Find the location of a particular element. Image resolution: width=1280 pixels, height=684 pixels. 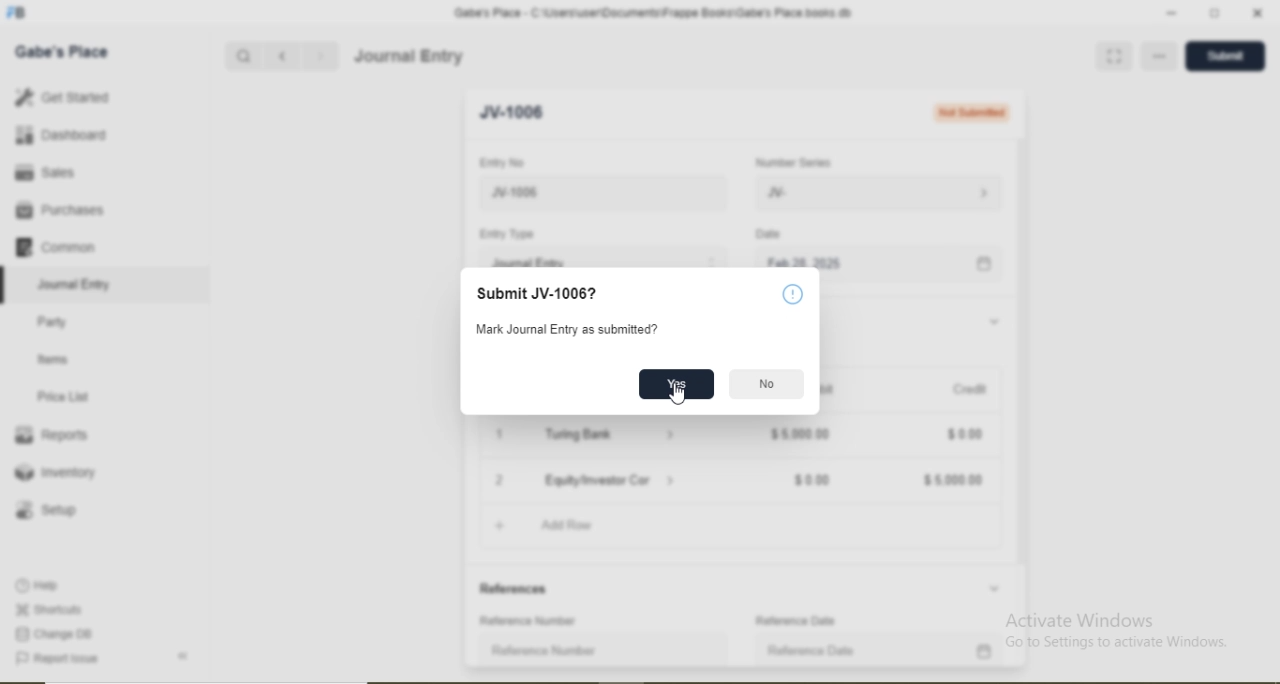

Add Row is located at coordinates (567, 525).